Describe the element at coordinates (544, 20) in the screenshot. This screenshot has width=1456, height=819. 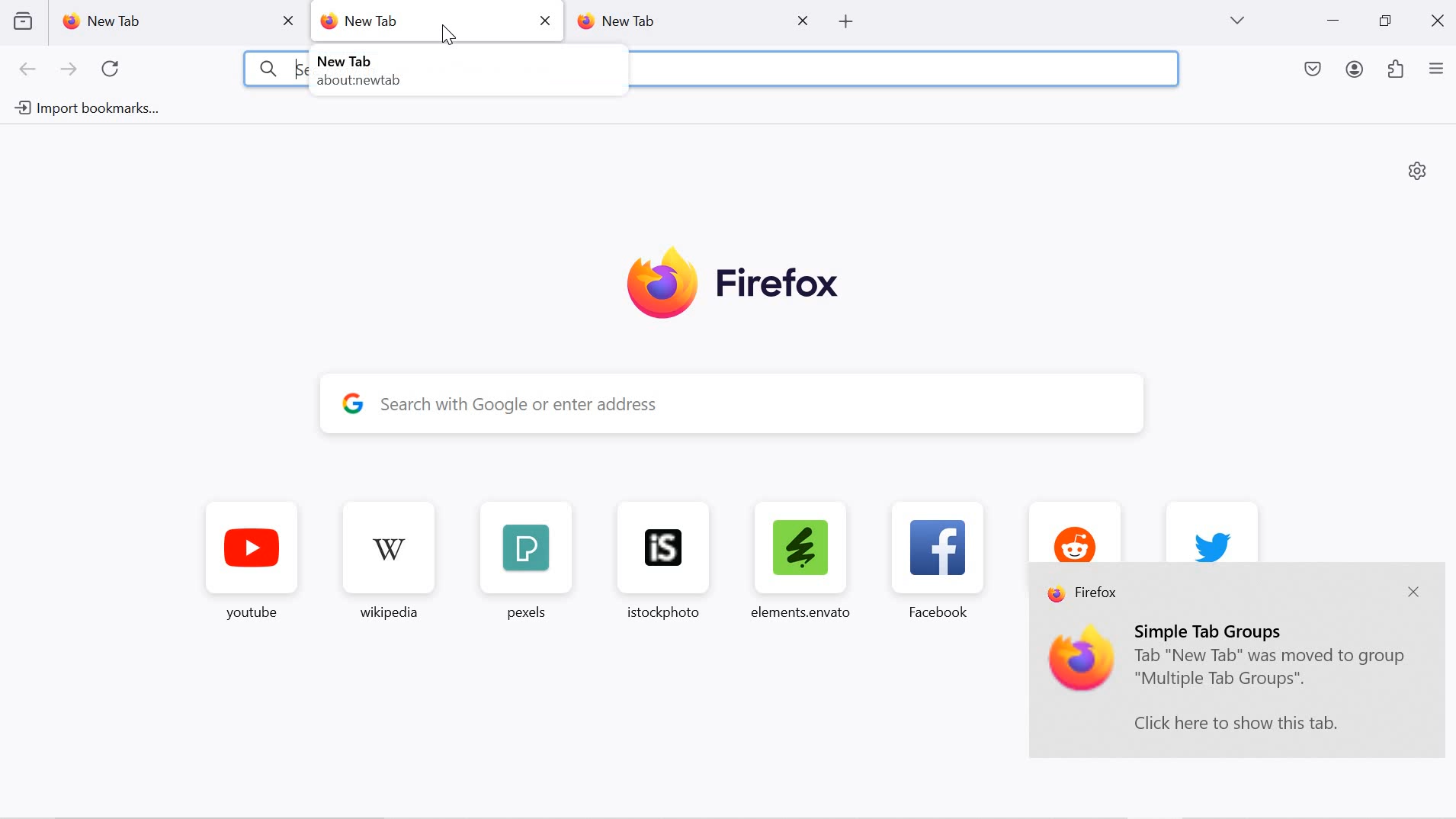
I see `close` at that location.